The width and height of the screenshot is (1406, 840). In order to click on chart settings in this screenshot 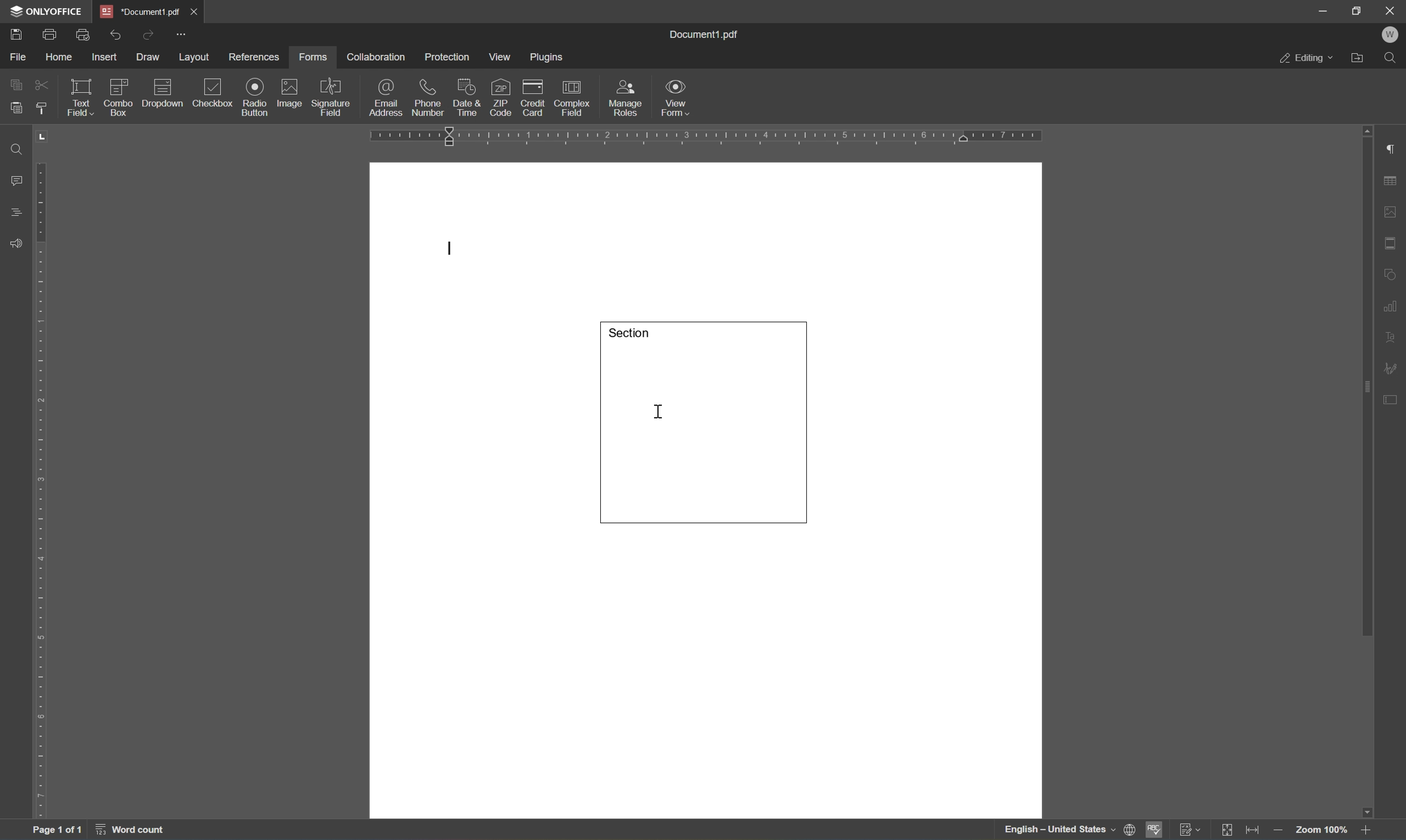, I will do `click(1393, 306)`.